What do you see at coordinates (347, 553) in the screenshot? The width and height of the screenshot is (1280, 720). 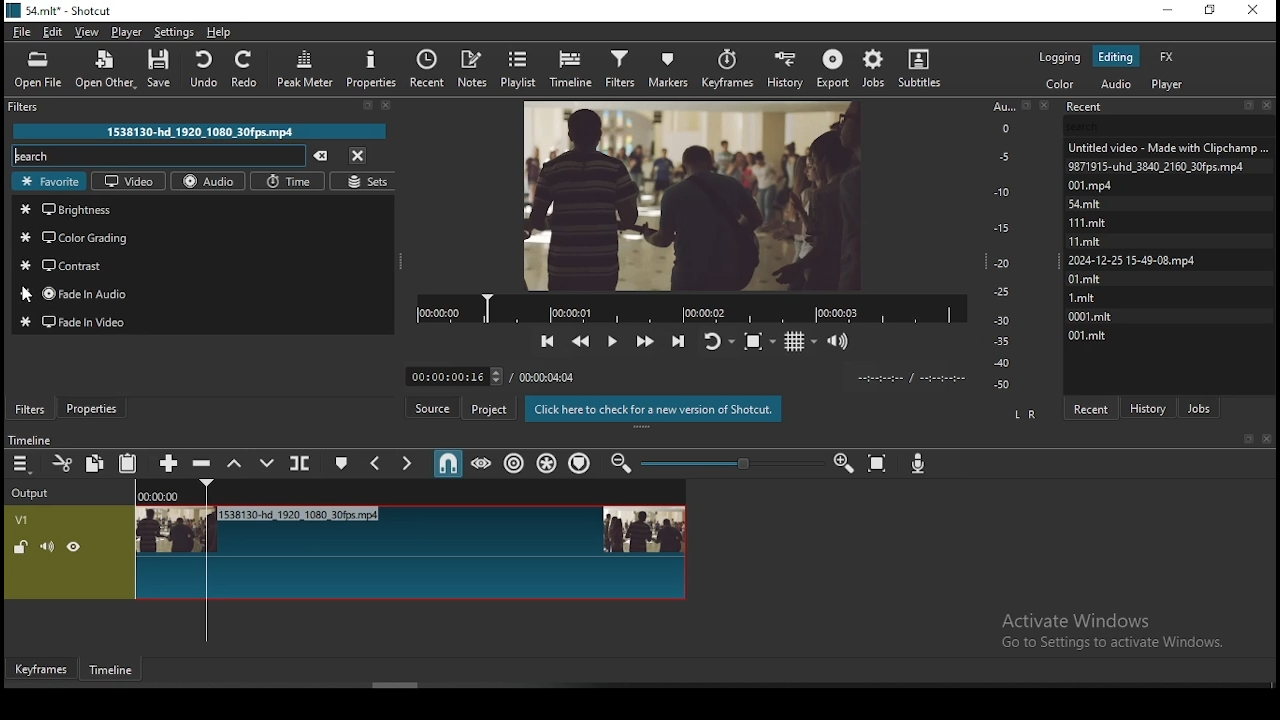 I see `video track` at bounding box center [347, 553].